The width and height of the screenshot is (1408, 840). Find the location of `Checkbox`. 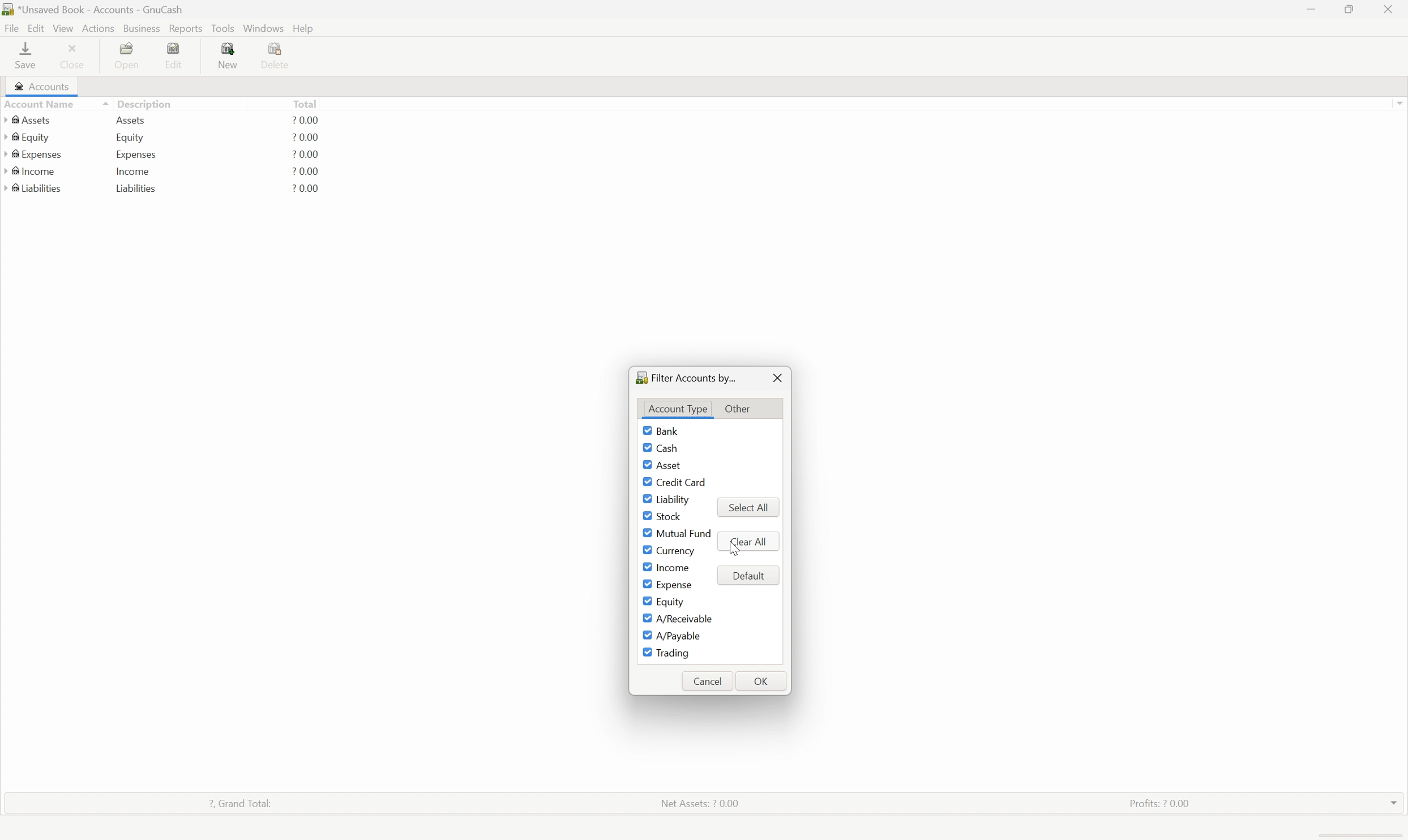

Checkbox is located at coordinates (645, 430).